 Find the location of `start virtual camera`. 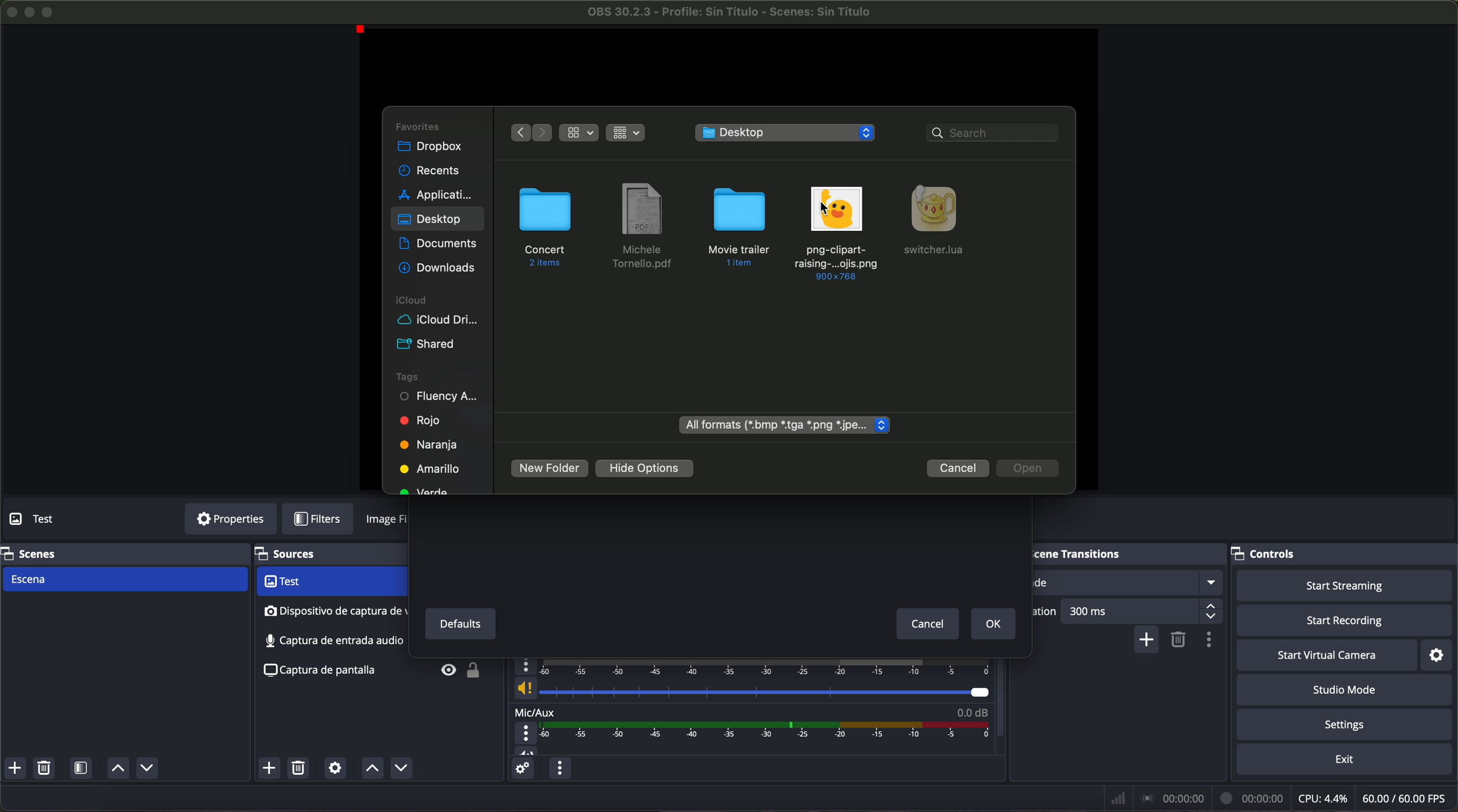

start virtual camera is located at coordinates (1327, 655).